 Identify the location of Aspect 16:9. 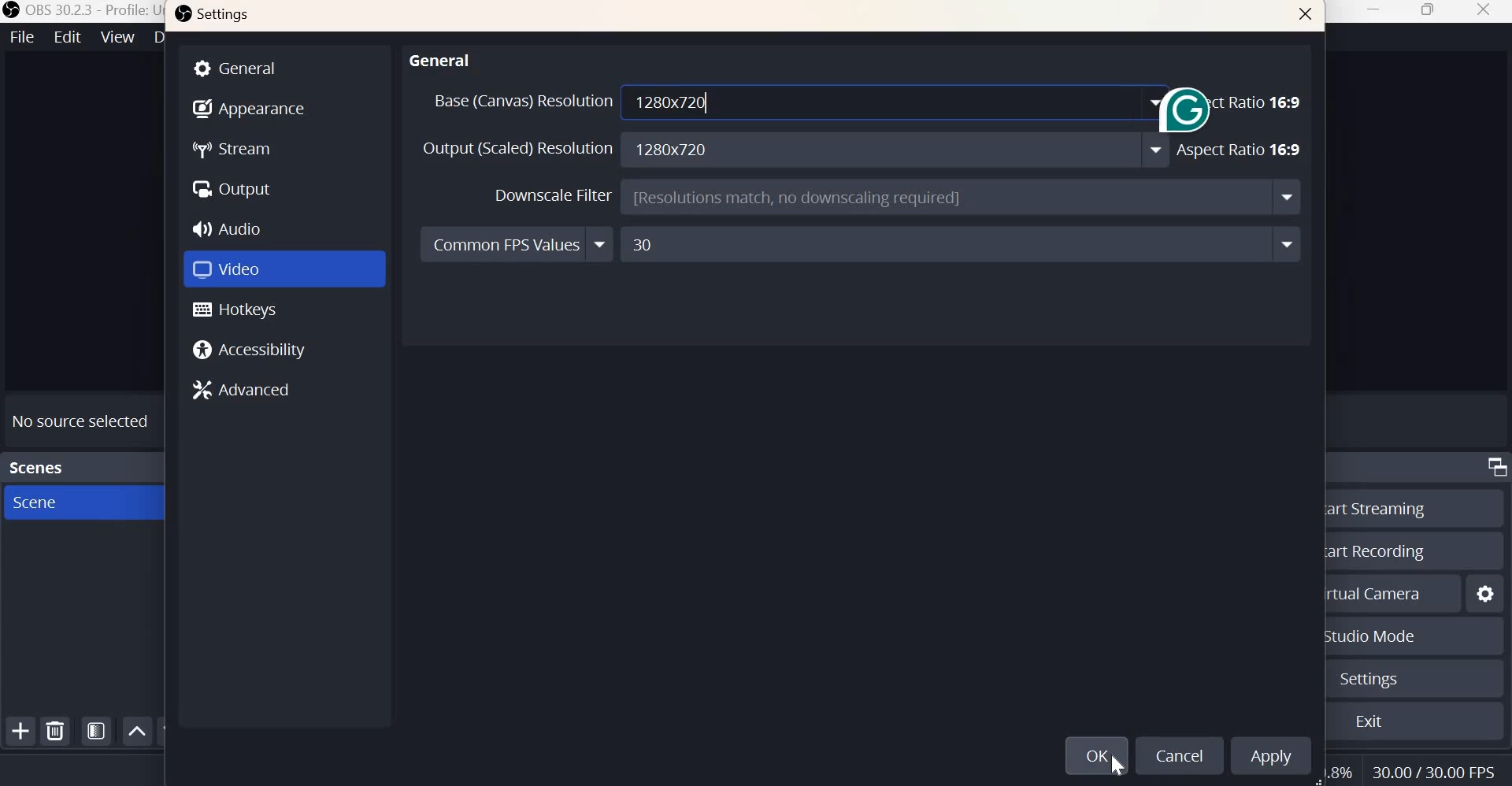
(1241, 101).